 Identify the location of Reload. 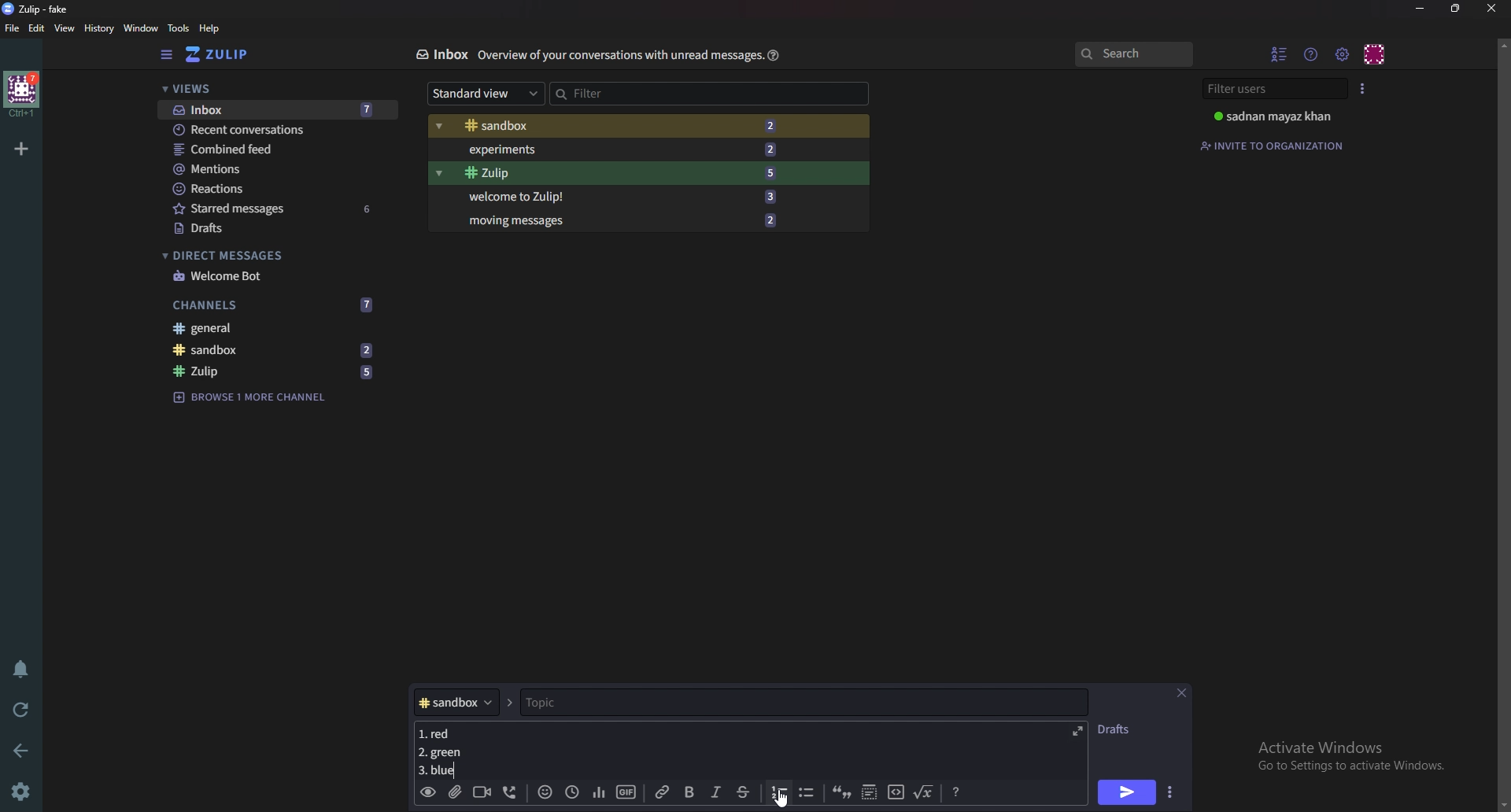
(24, 708).